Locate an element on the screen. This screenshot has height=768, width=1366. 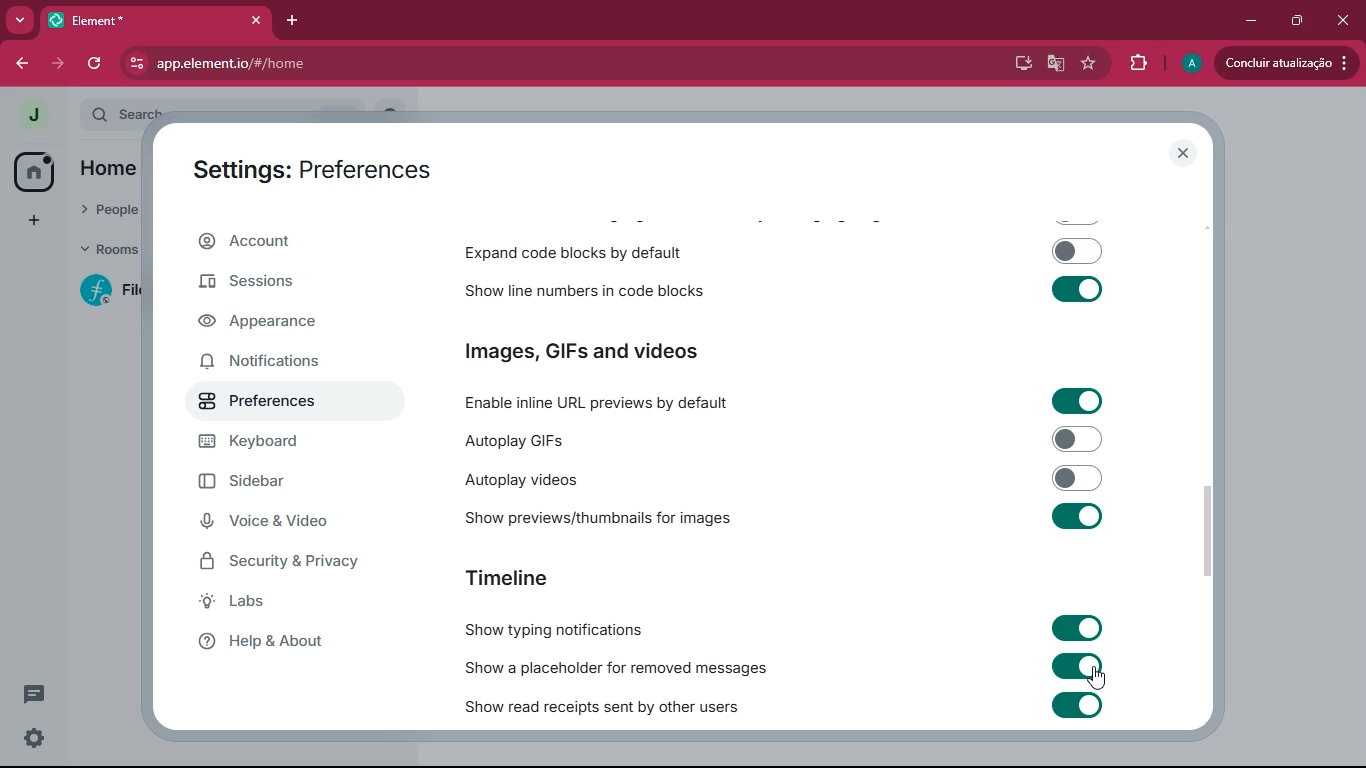
account is located at coordinates (292, 240).